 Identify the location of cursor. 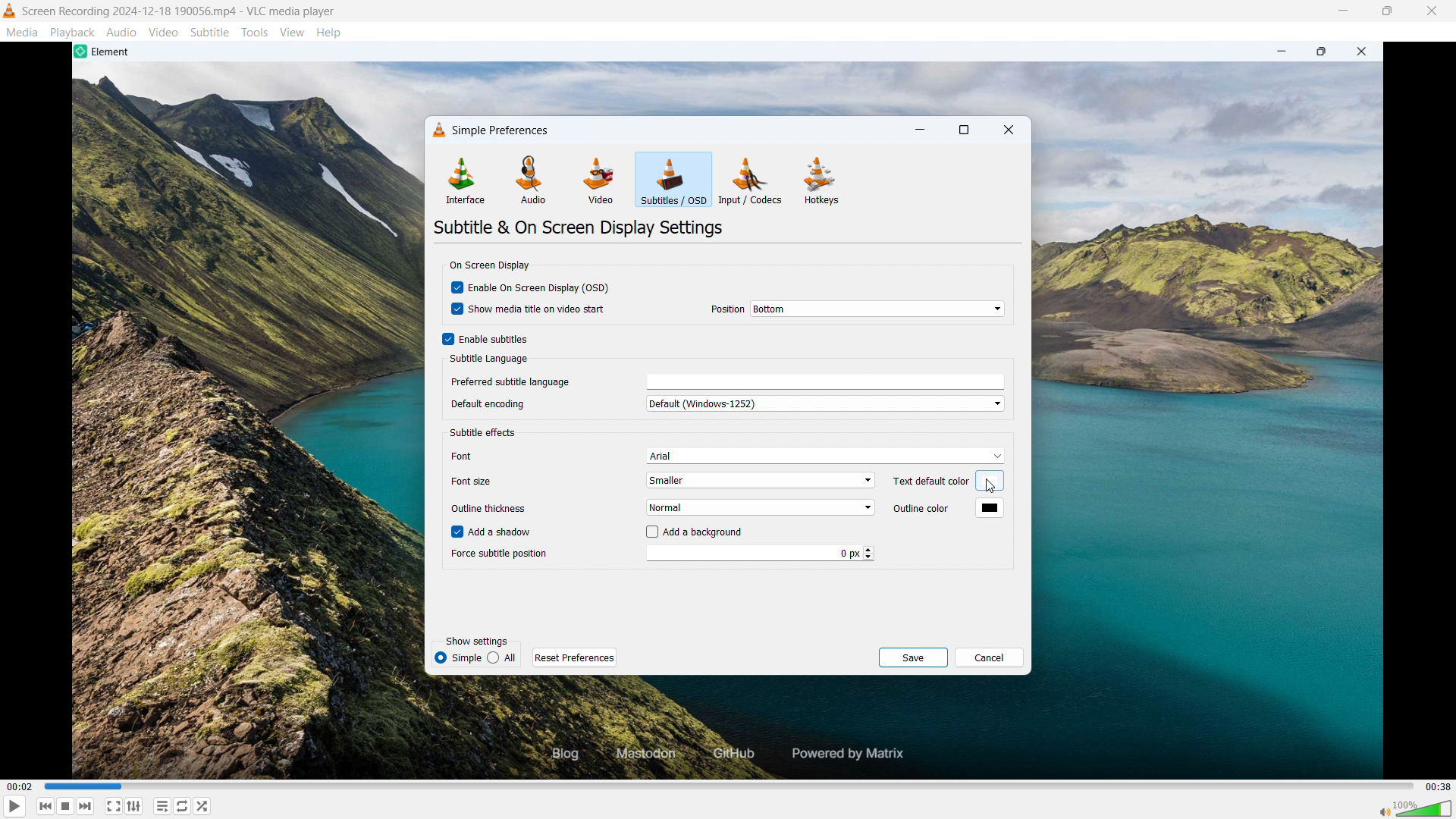
(454, 310).